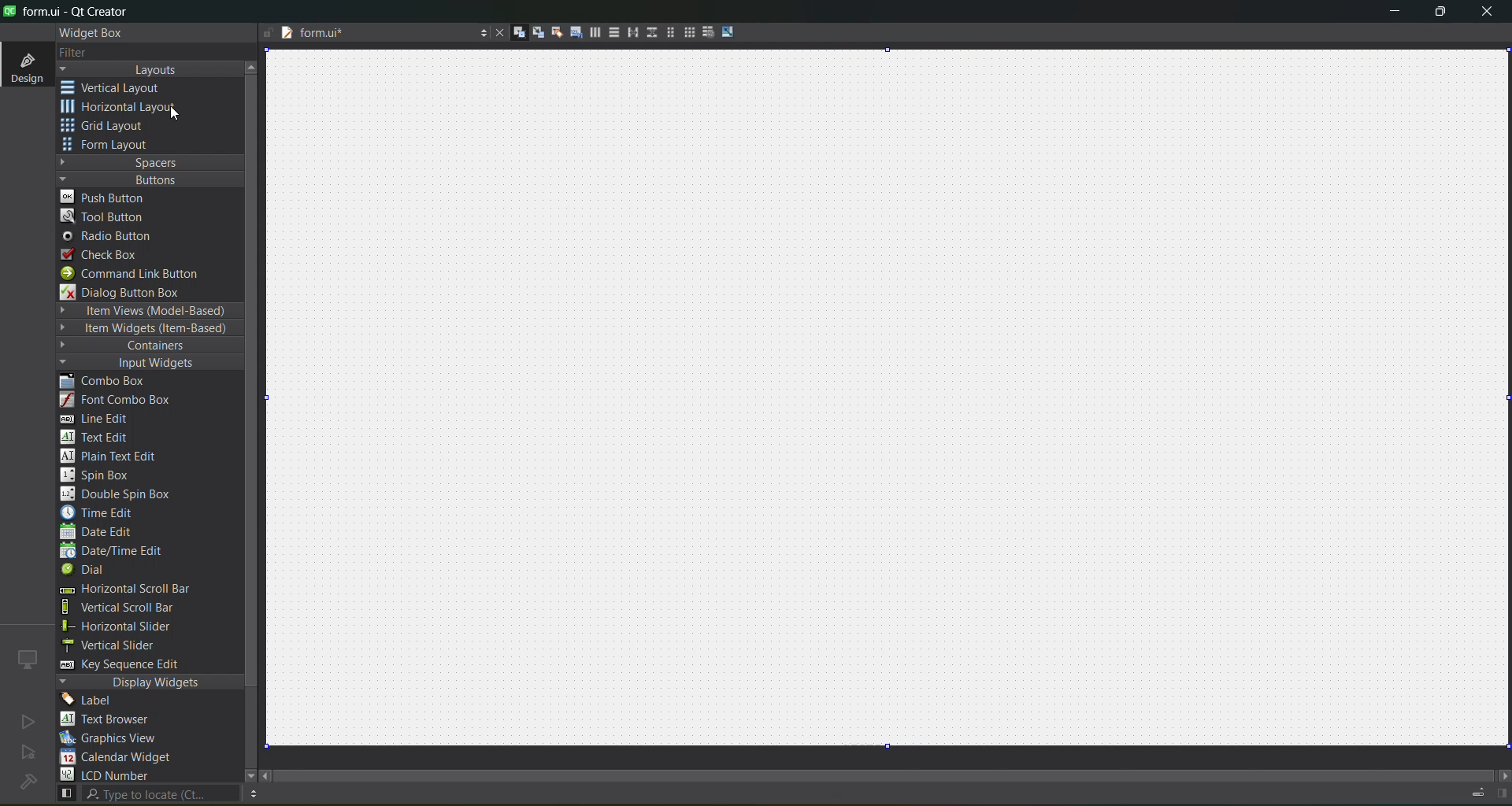 The image size is (1512, 806). Describe the element at coordinates (243, 774) in the screenshot. I see `move down` at that location.